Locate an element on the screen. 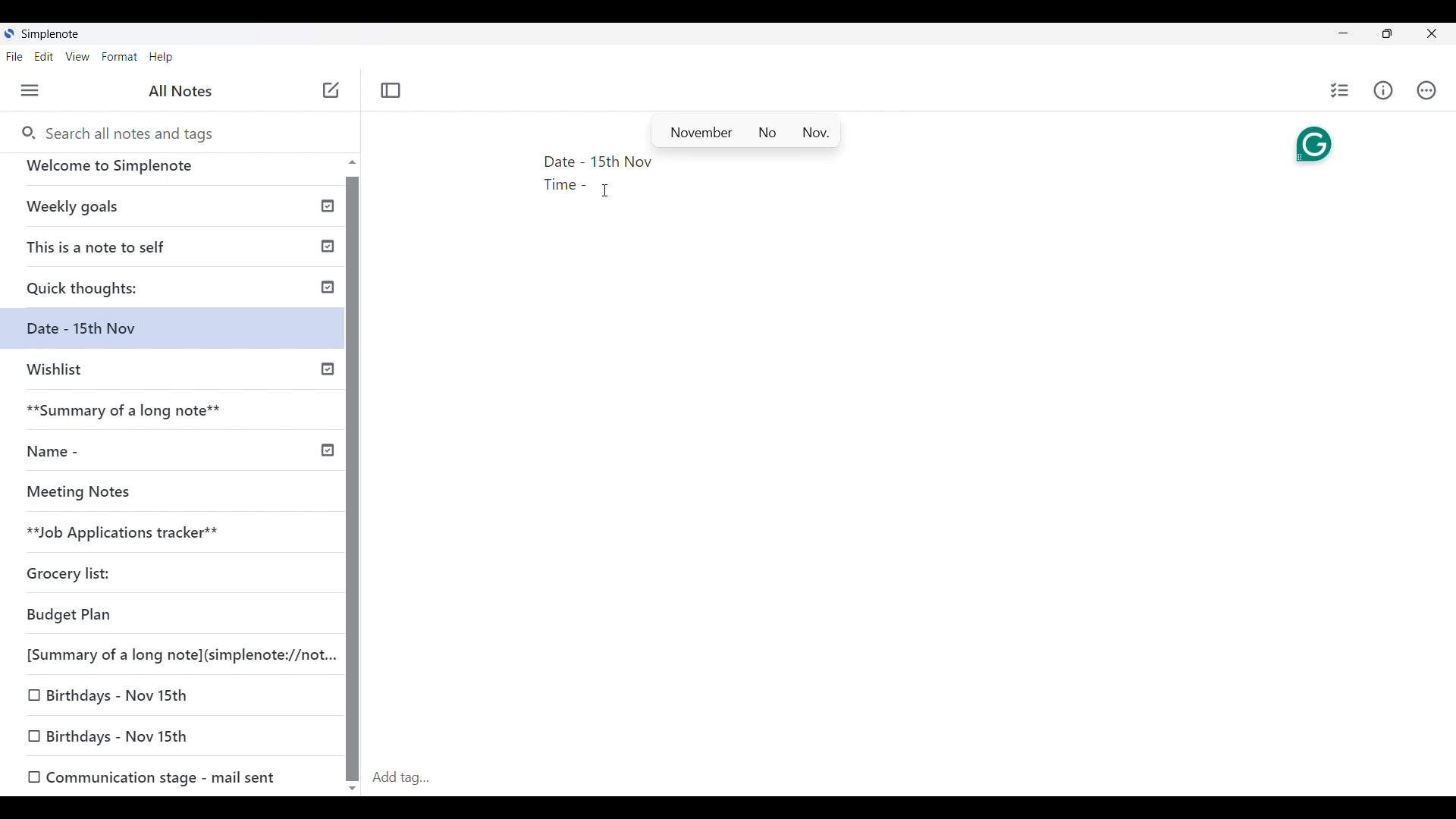  Unpublished note is located at coordinates (118, 692).